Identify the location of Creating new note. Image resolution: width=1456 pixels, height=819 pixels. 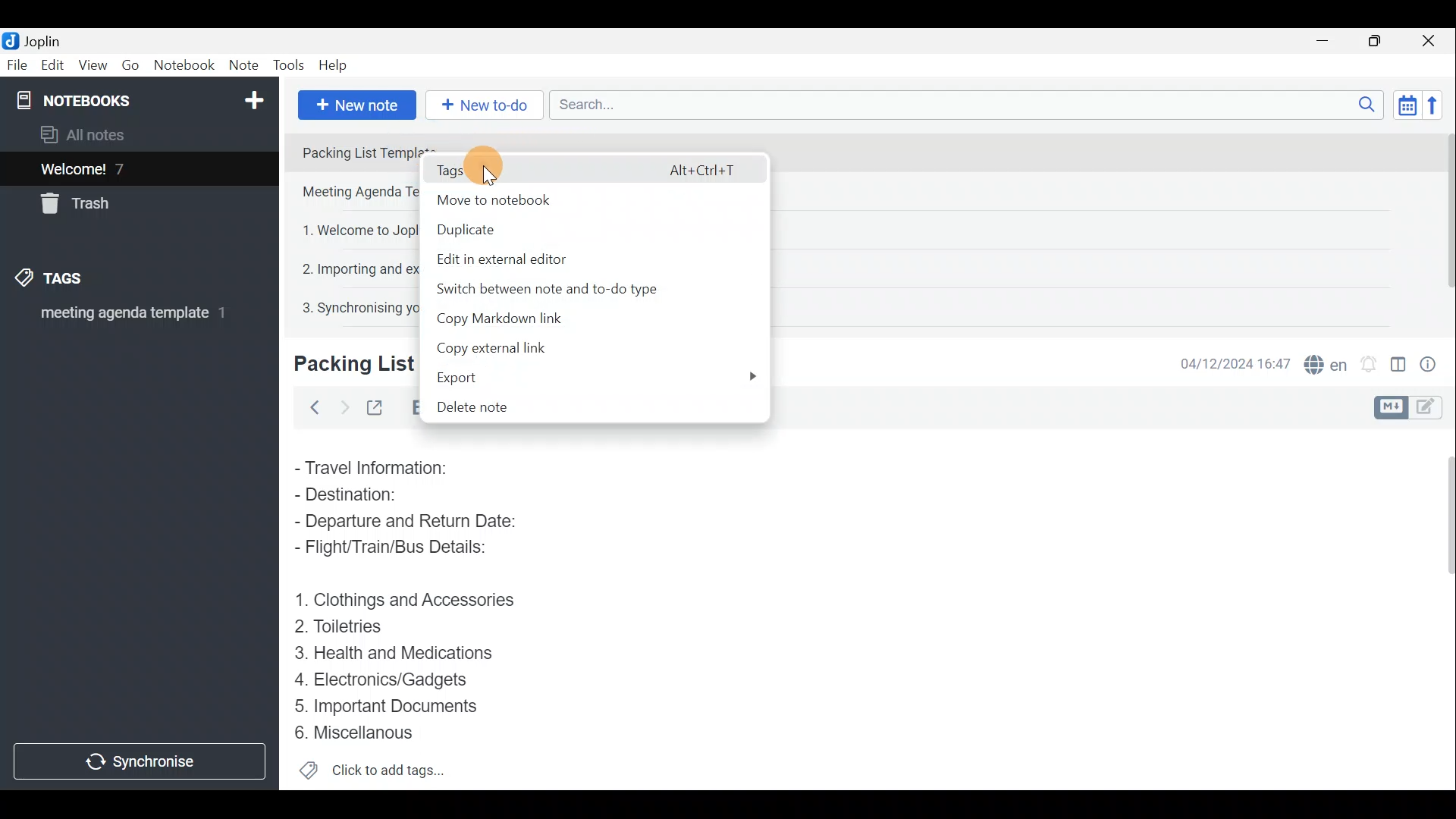
(344, 365).